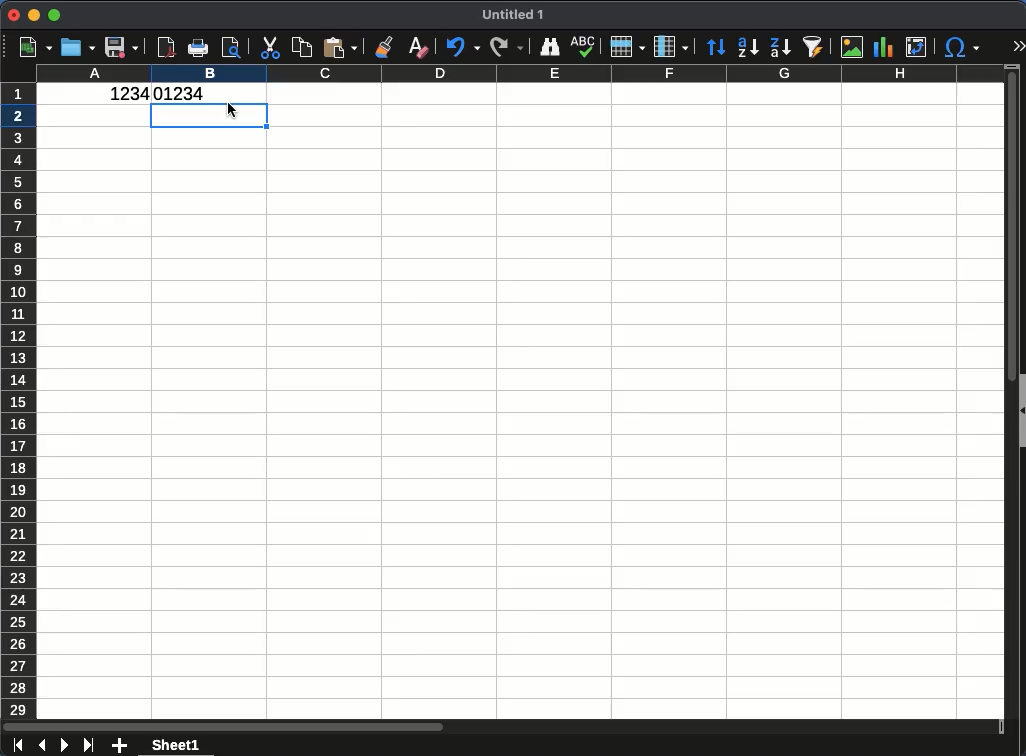 The width and height of the screenshot is (1026, 756). Describe the element at coordinates (1009, 391) in the screenshot. I see `scroll` at that location.